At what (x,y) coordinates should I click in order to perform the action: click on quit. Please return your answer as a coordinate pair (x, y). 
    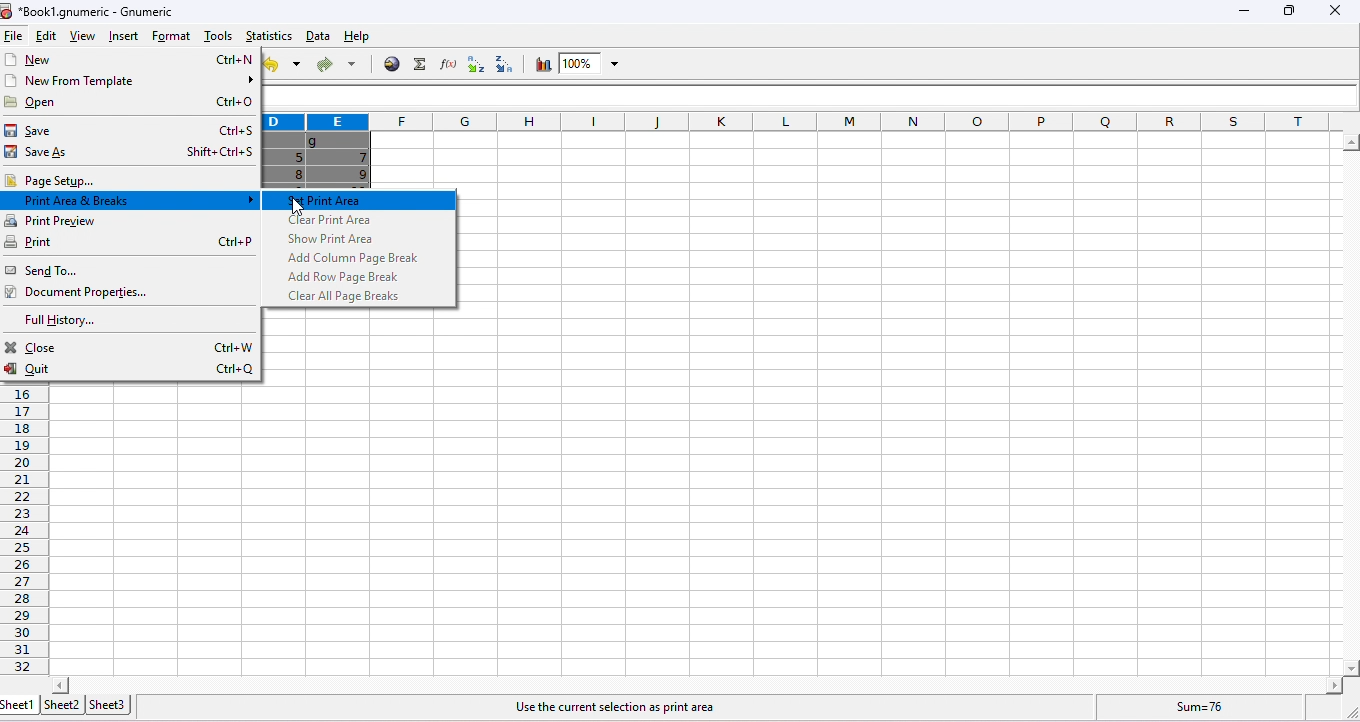
    Looking at the image, I should click on (131, 371).